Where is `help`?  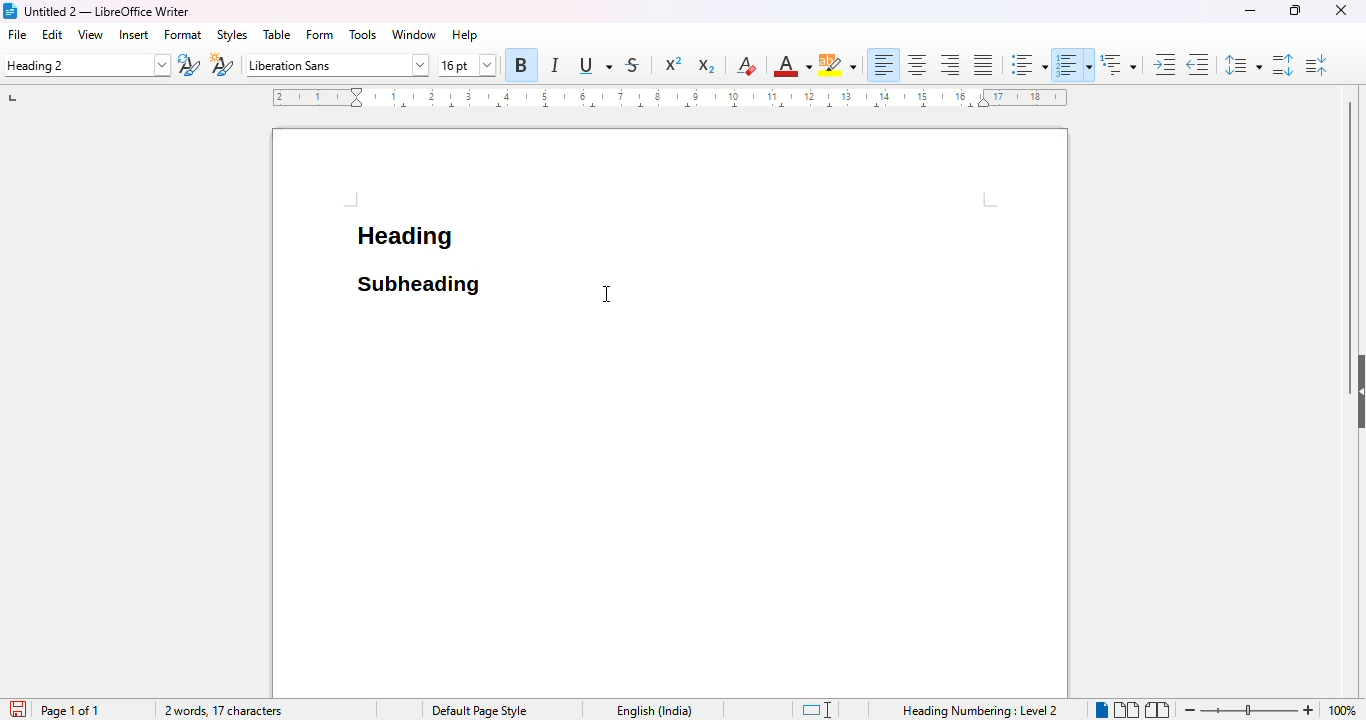 help is located at coordinates (464, 35).